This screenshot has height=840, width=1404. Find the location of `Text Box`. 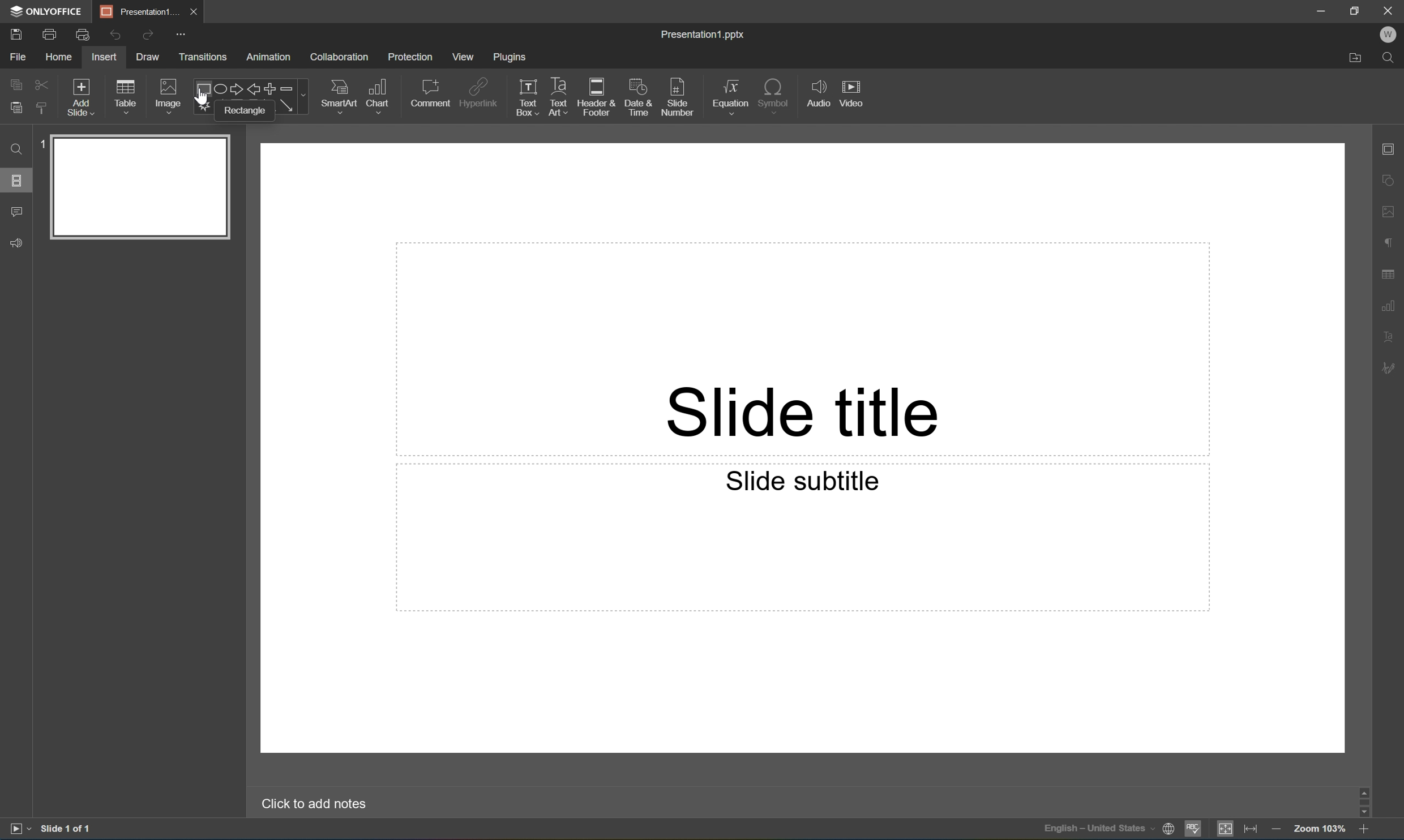

Text Box is located at coordinates (528, 98).